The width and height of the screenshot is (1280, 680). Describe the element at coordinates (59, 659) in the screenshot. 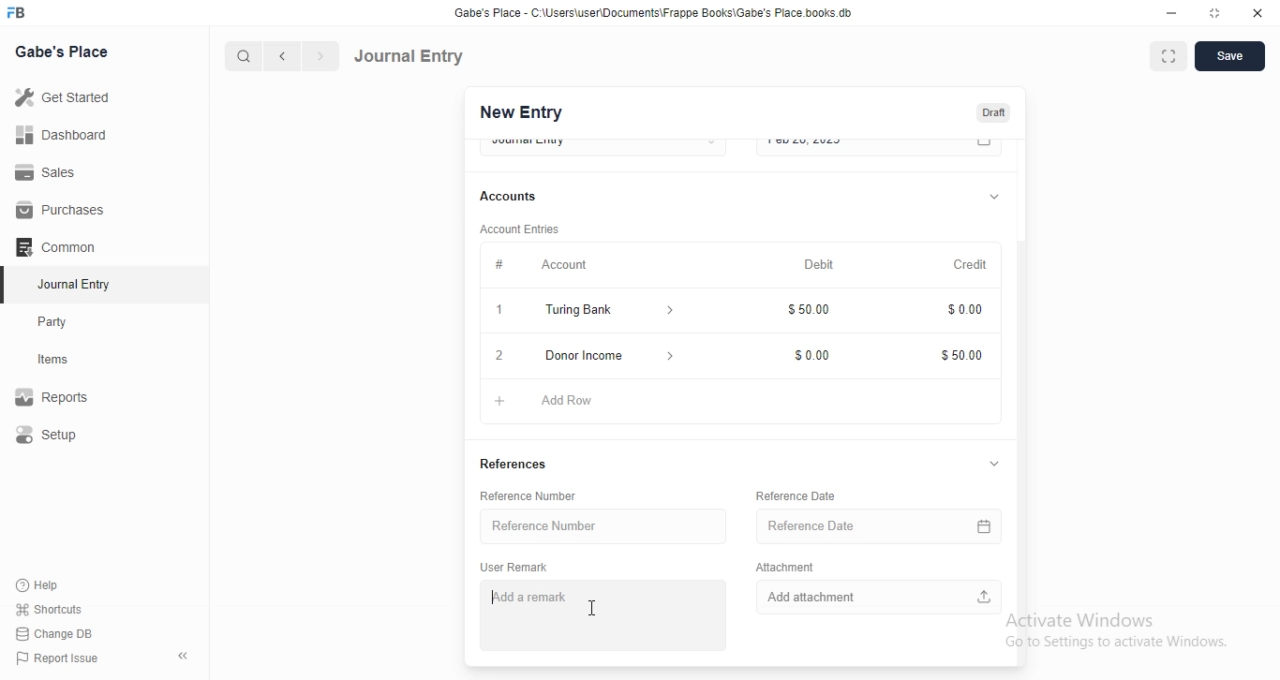

I see `) Report Issue` at that location.